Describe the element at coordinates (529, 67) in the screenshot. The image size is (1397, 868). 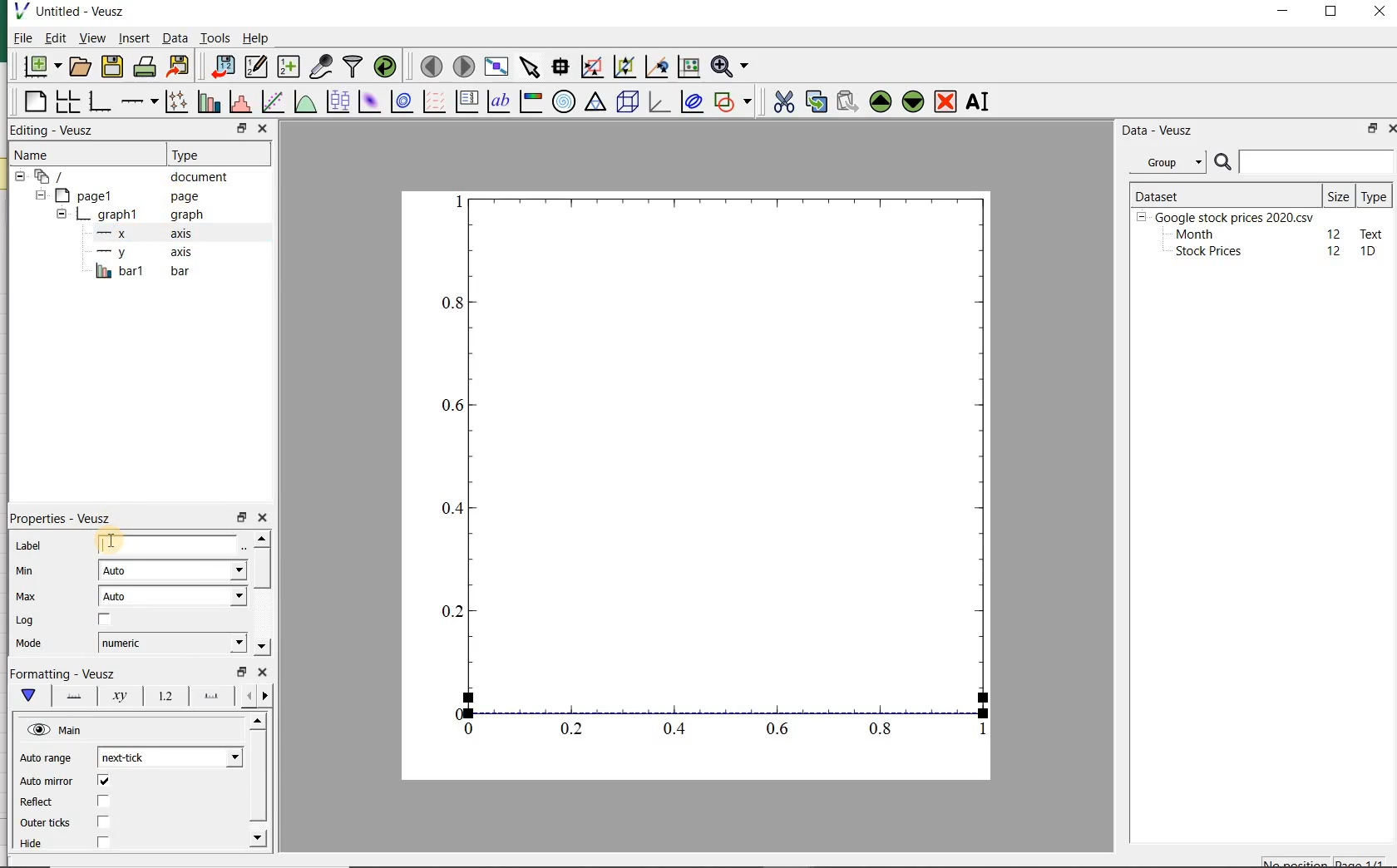
I see `select items from the graph or scroll` at that location.